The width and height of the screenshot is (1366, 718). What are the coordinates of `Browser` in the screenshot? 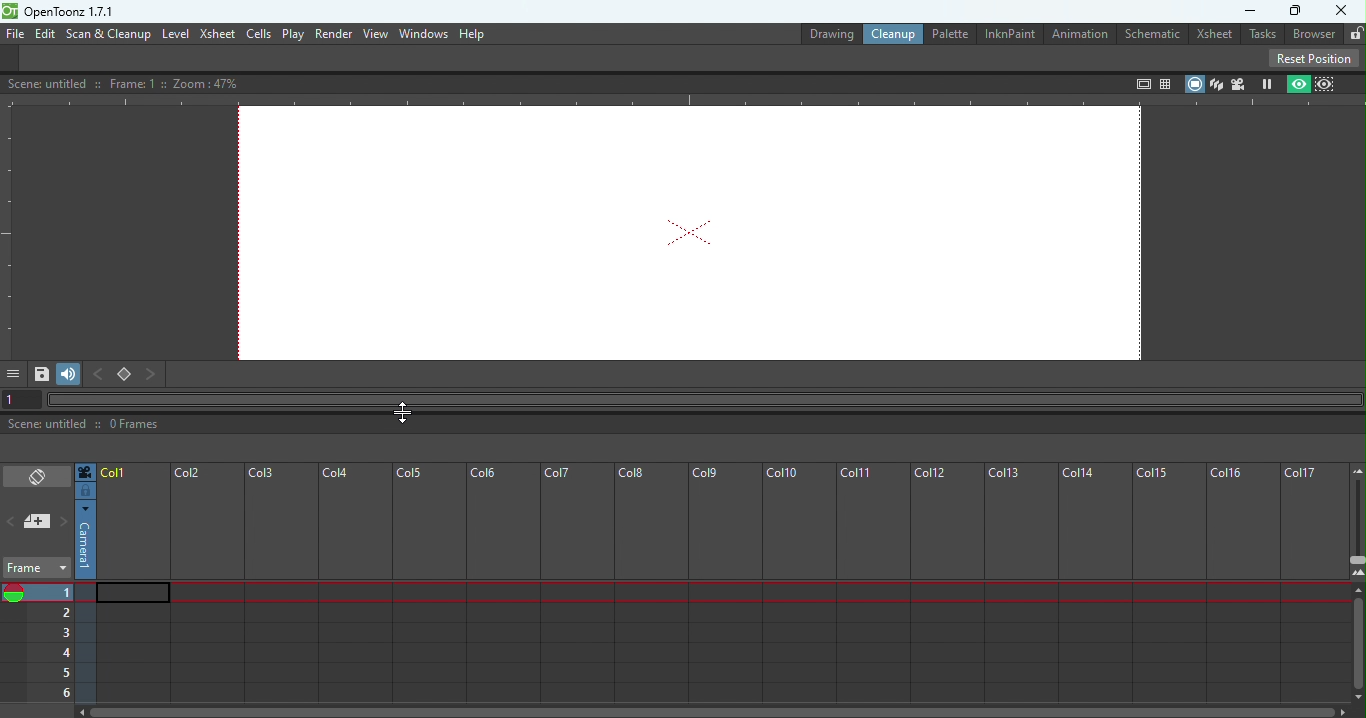 It's located at (1310, 34).